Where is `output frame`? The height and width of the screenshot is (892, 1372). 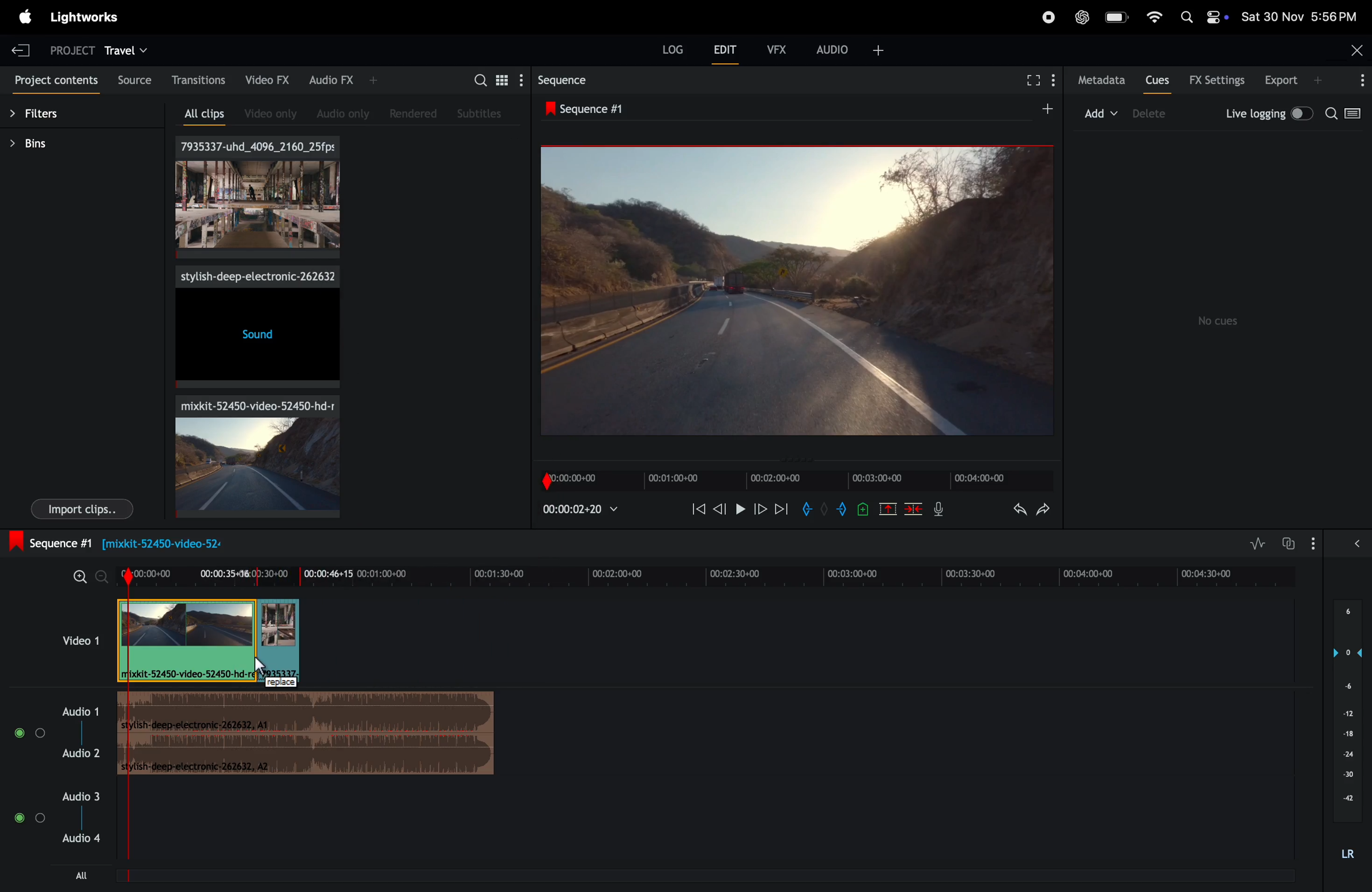
output frame is located at coordinates (795, 290).